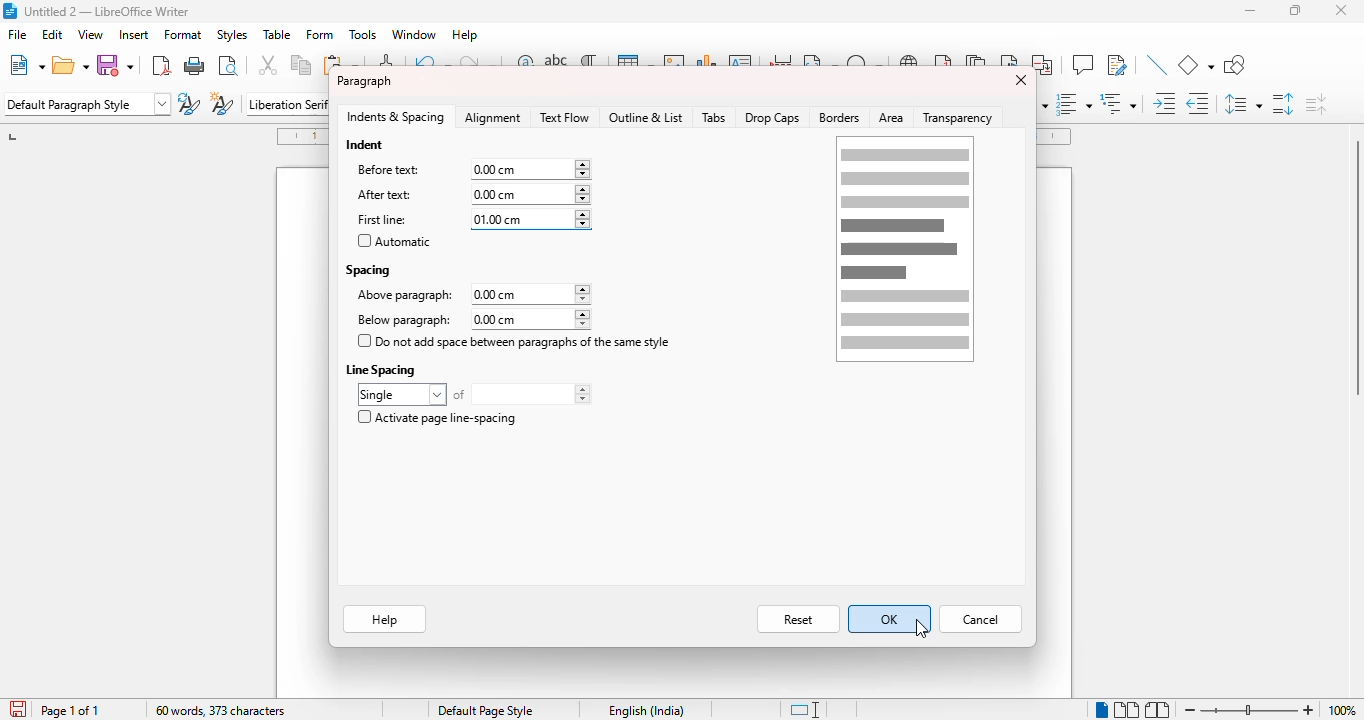 The image size is (1364, 720). What do you see at coordinates (1309, 709) in the screenshot?
I see `zoom in` at bounding box center [1309, 709].